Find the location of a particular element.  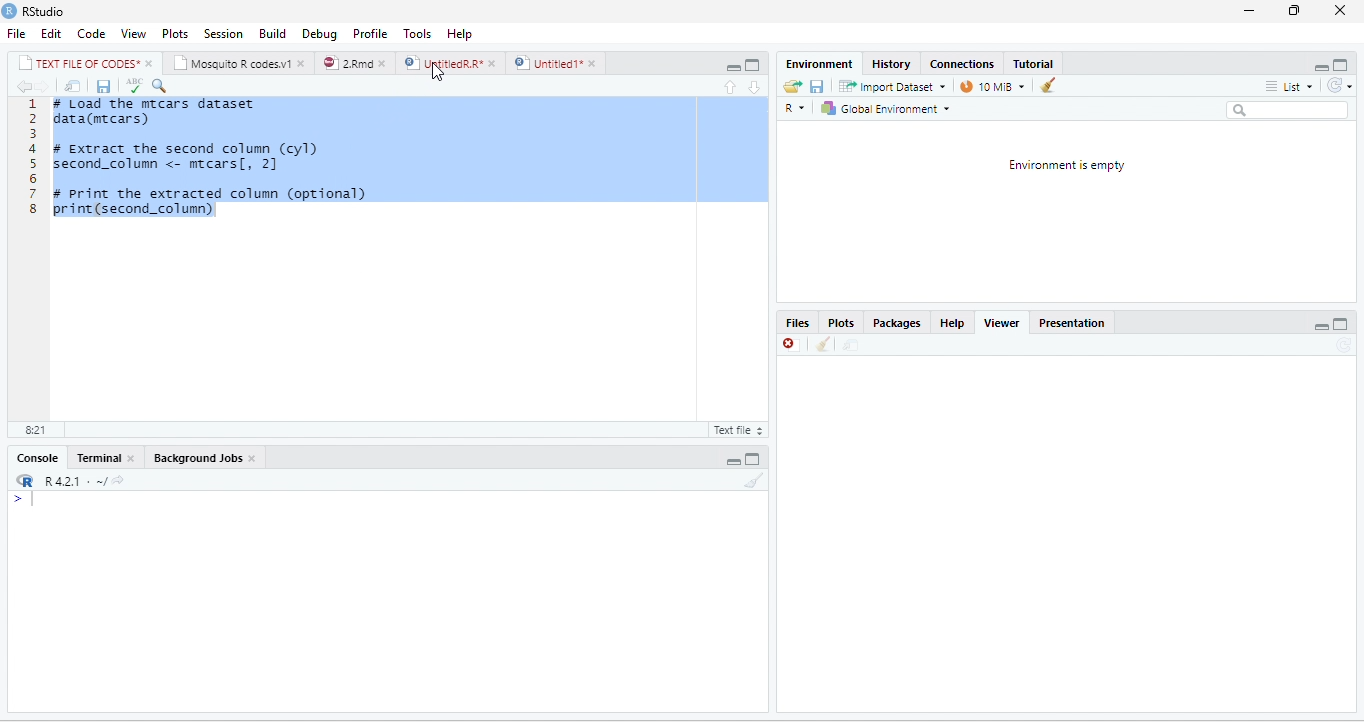

minimize is located at coordinates (1250, 13).